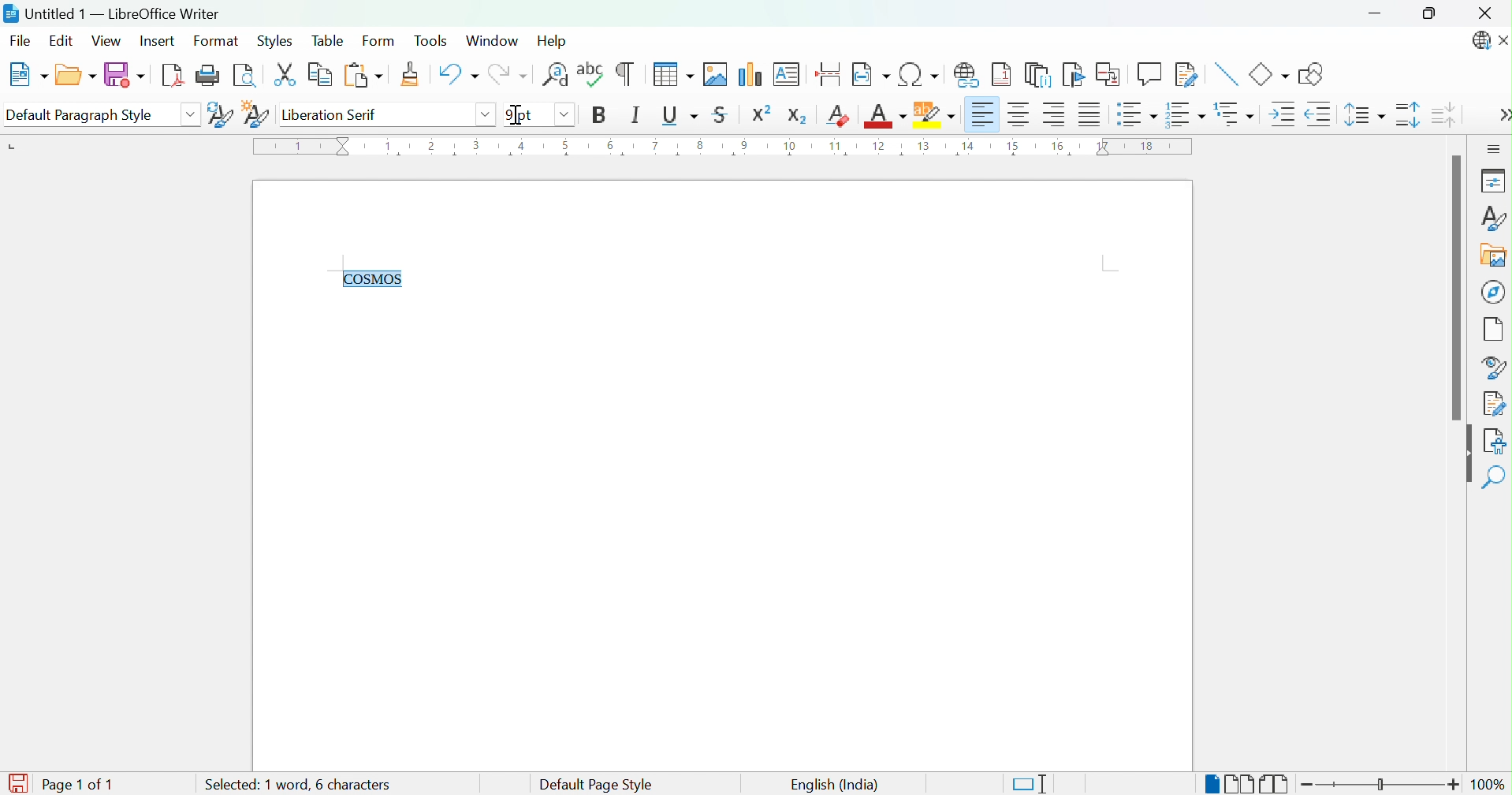 Image resolution: width=1512 pixels, height=795 pixels. What do you see at coordinates (798, 113) in the screenshot?
I see `Subscript` at bounding box center [798, 113].